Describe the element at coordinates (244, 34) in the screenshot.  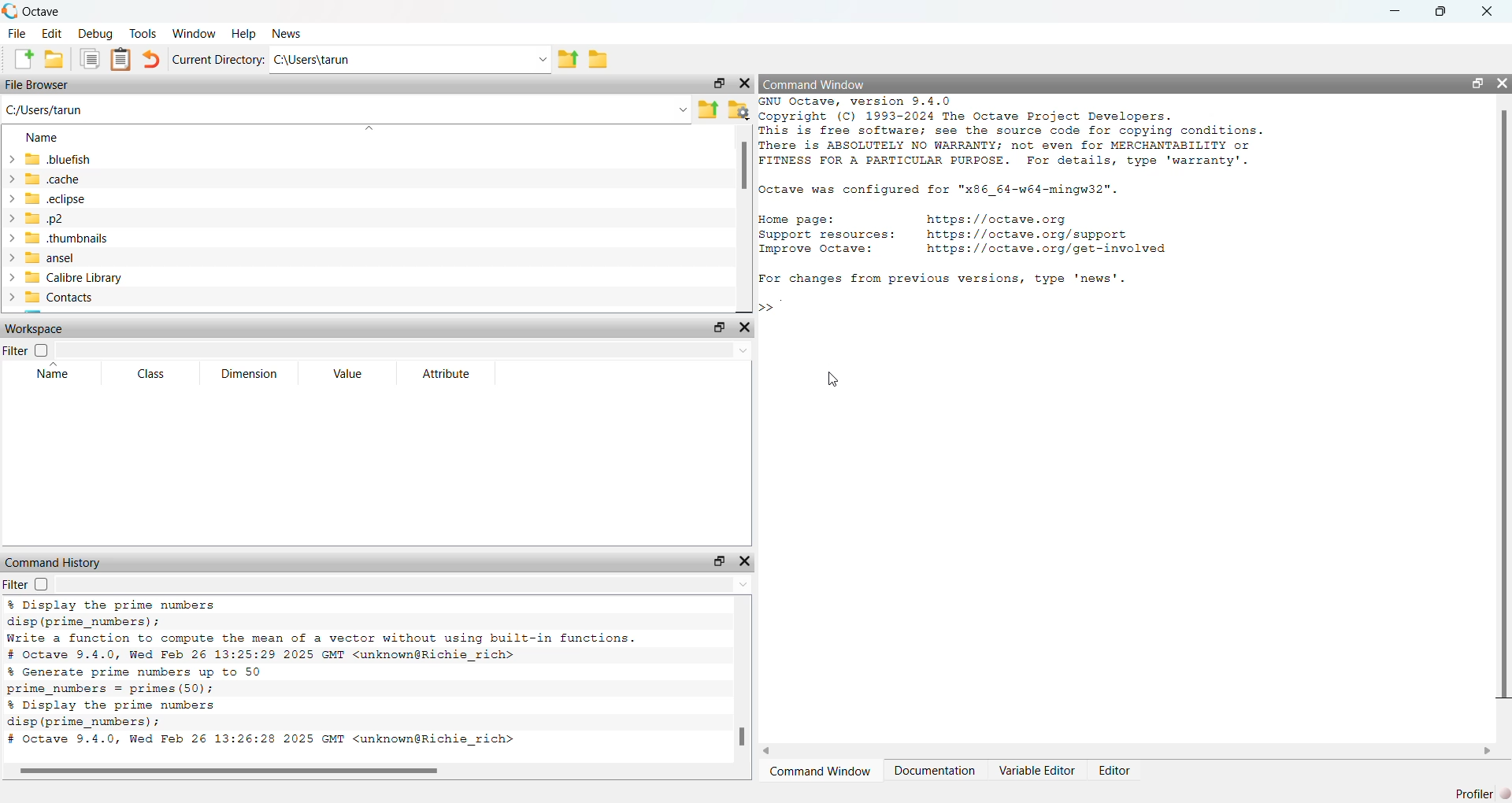
I see `Help` at that location.